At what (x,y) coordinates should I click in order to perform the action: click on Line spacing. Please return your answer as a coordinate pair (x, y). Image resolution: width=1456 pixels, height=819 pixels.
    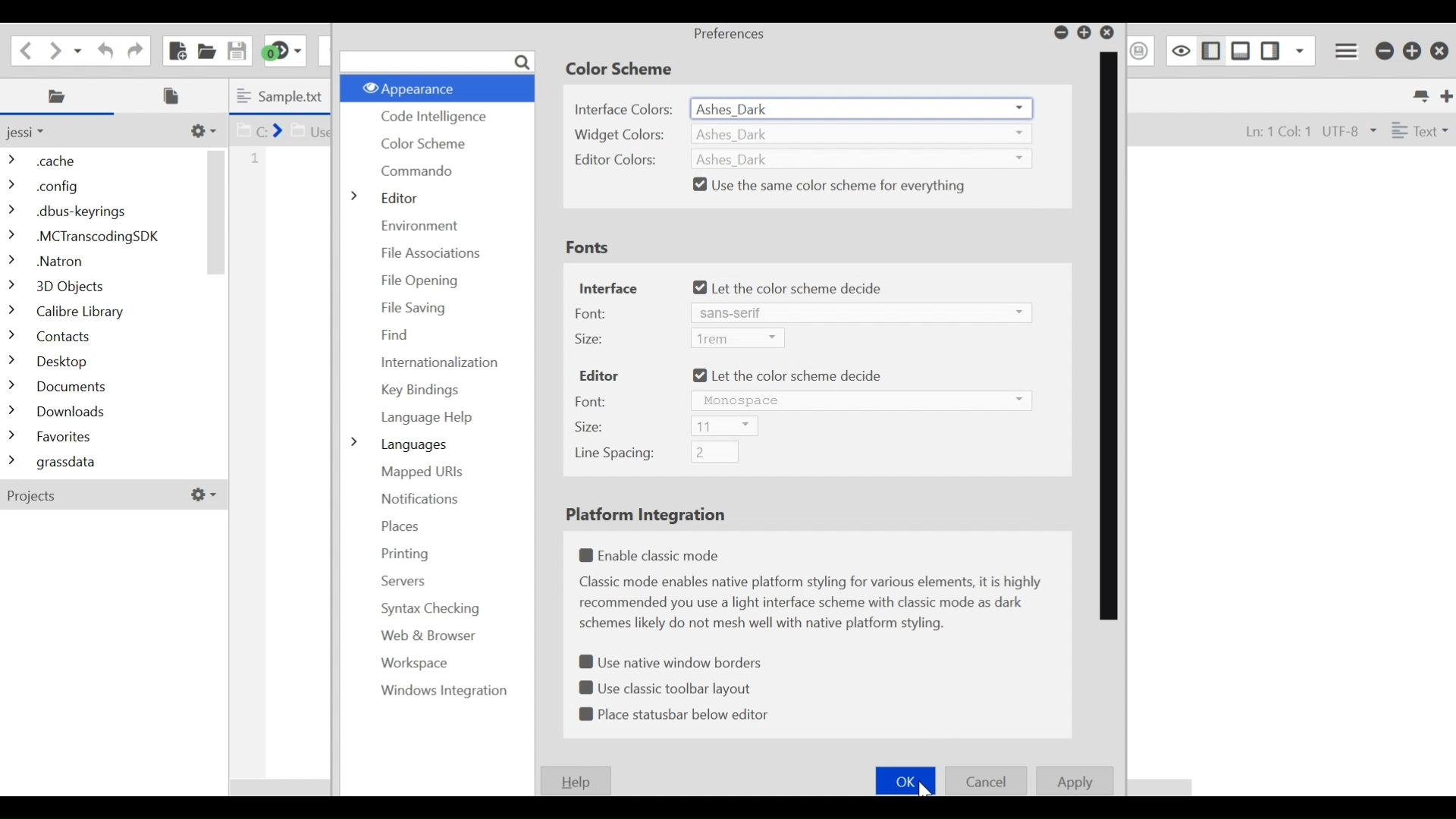
    Looking at the image, I should click on (614, 455).